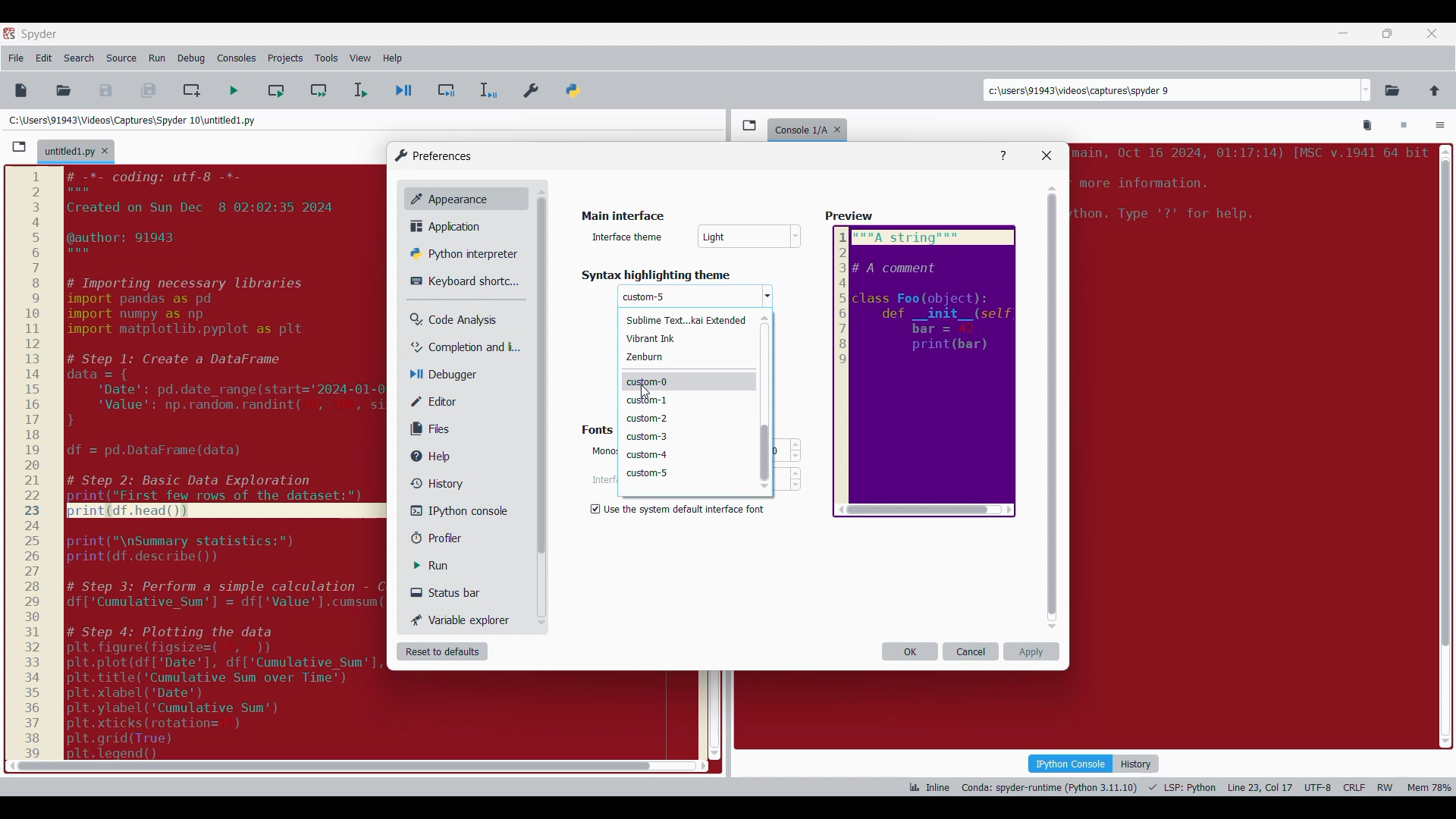 This screenshot has width=1456, height=819. What do you see at coordinates (434, 428) in the screenshot?
I see `Files` at bounding box center [434, 428].